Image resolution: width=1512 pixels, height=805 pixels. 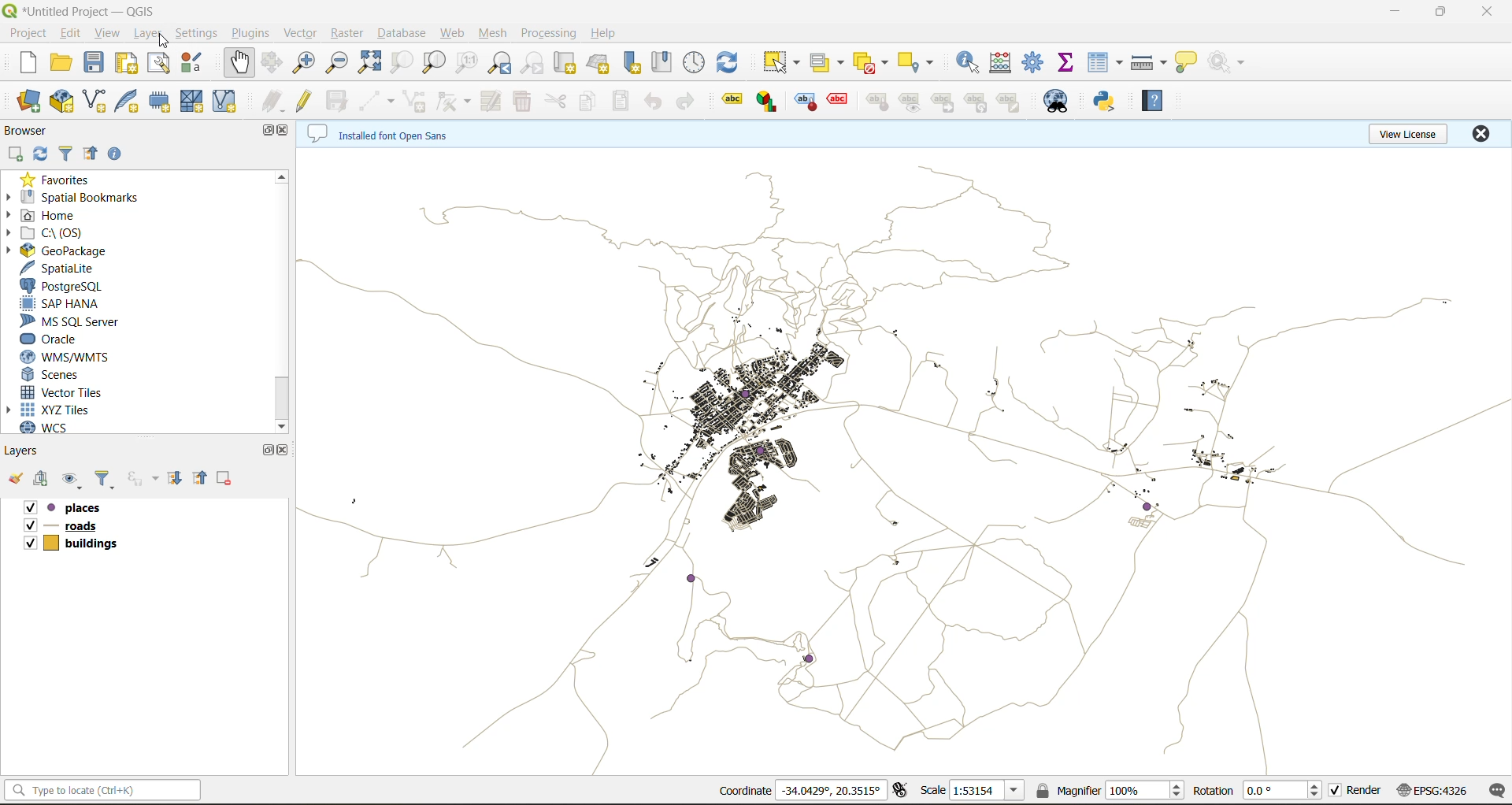 What do you see at coordinates (39, 480) in the screenshot?
I see `add` at bounding box center [39, 480].